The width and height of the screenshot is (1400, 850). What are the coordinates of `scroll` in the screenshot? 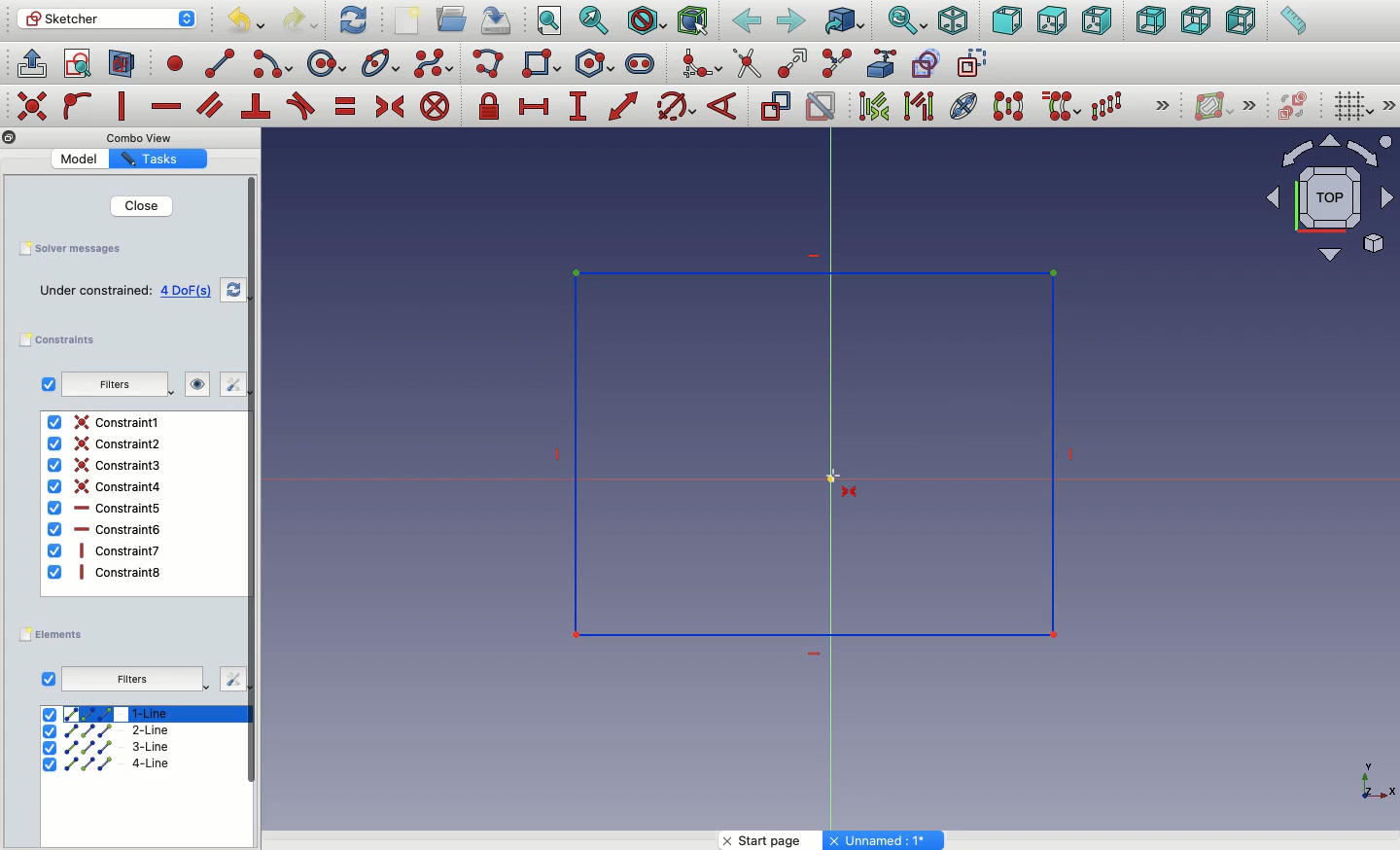 It's located at (254, 511).